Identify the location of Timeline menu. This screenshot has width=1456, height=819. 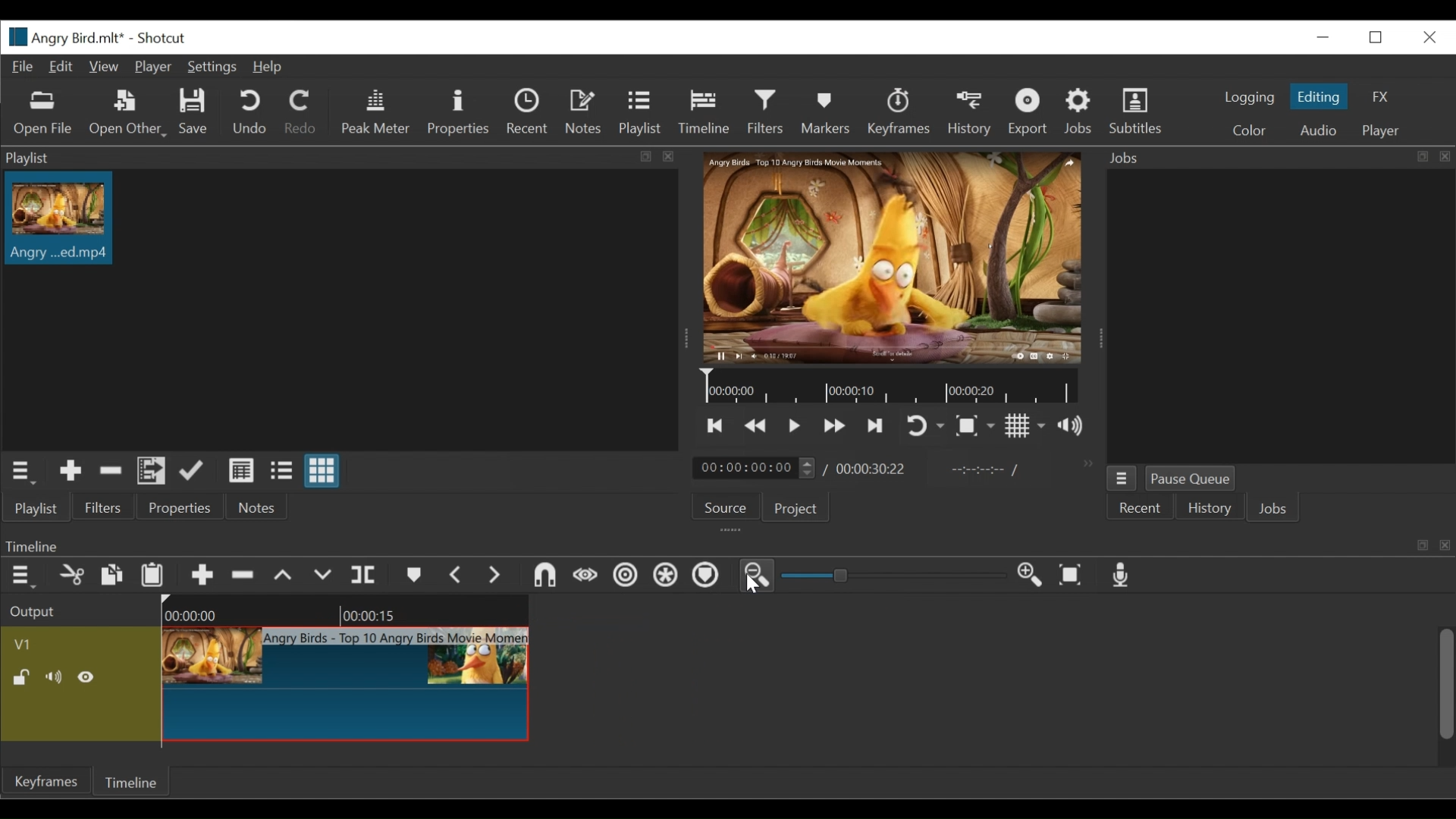
(20, 575).